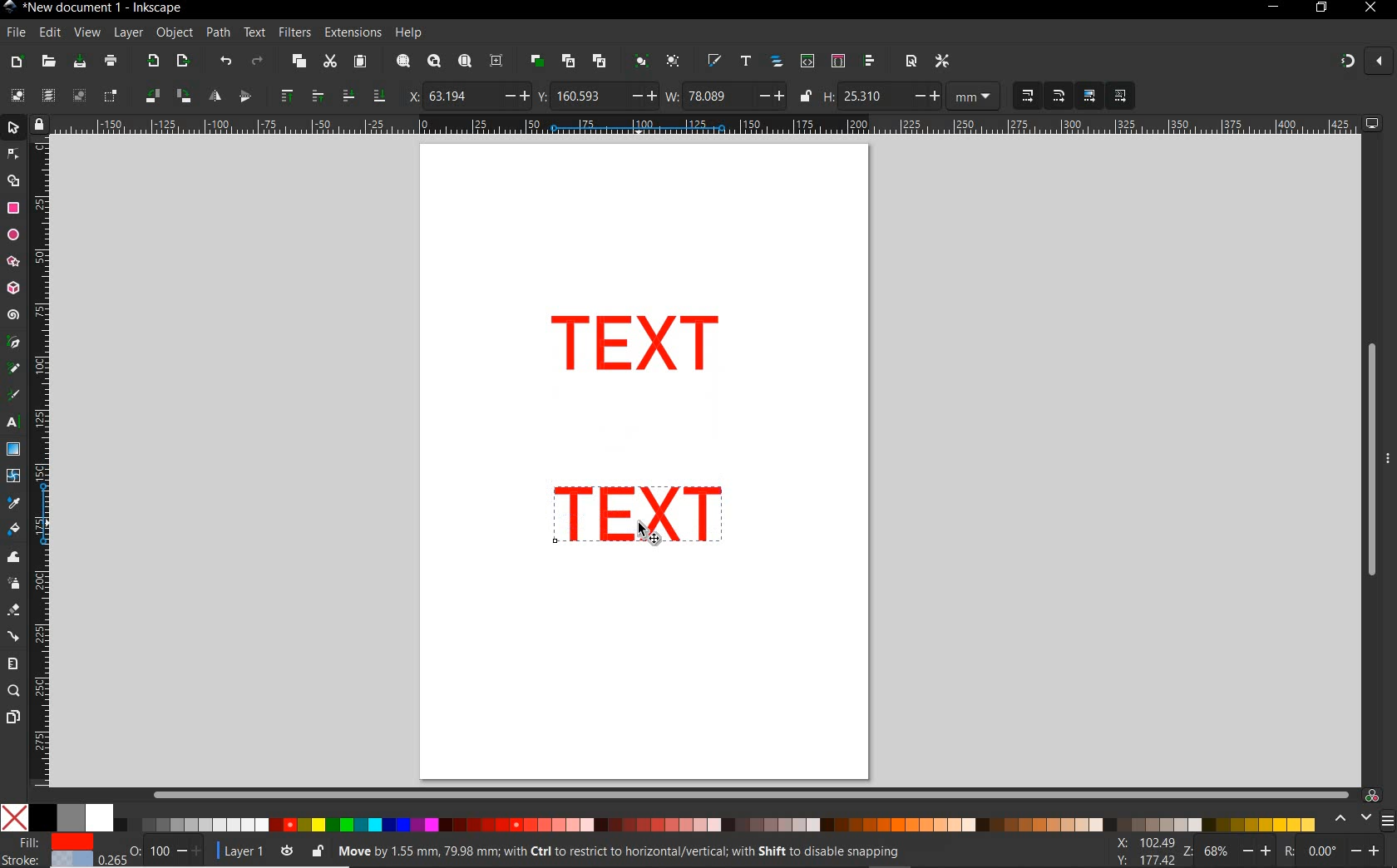  What do you see at coordinates (51, 851) in the screenshot?
I see `fill and stroke` at bounding box center [51, 851].